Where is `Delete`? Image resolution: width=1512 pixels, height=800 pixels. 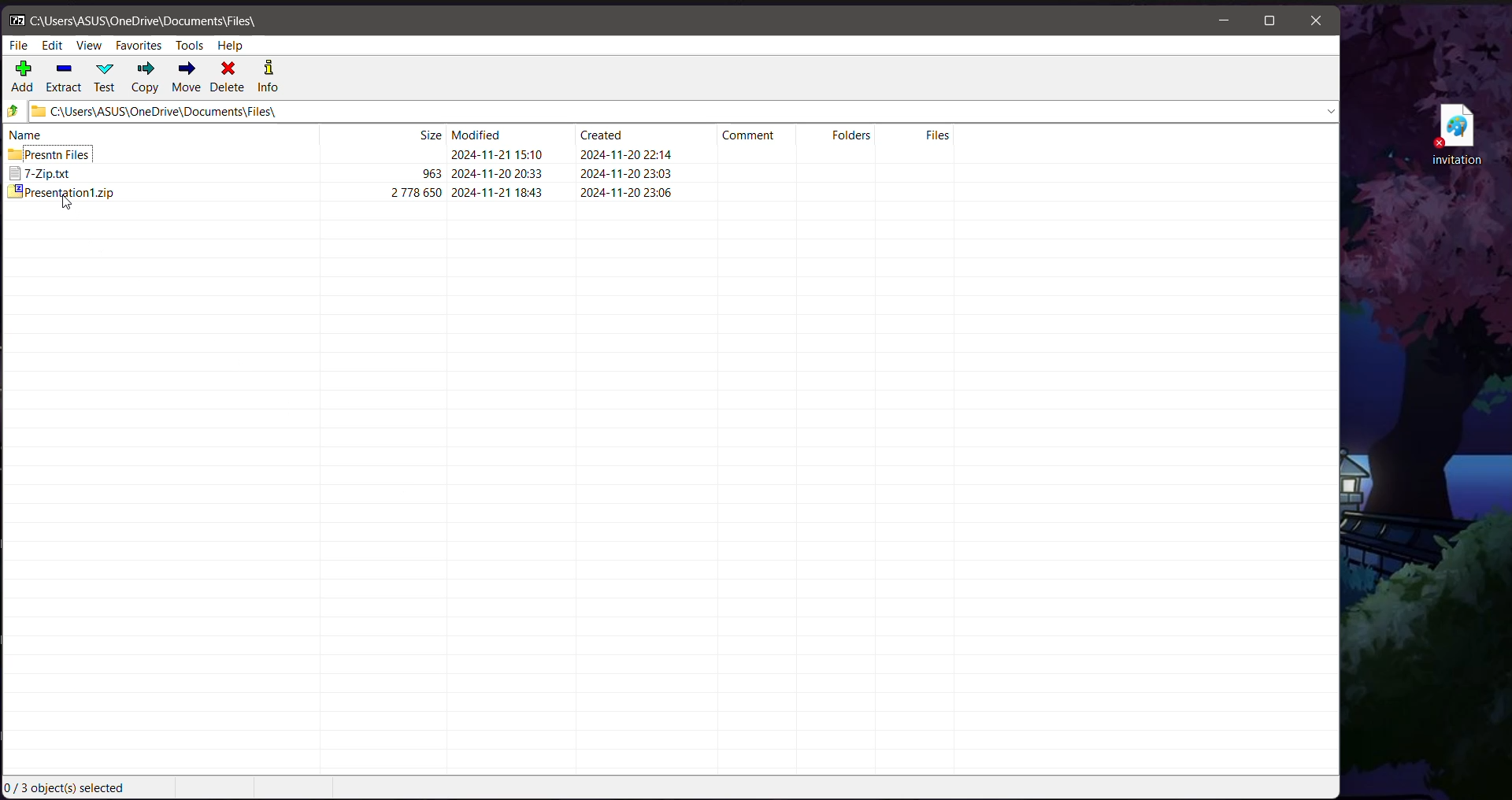
Delete is located at coordinates (229, 78).